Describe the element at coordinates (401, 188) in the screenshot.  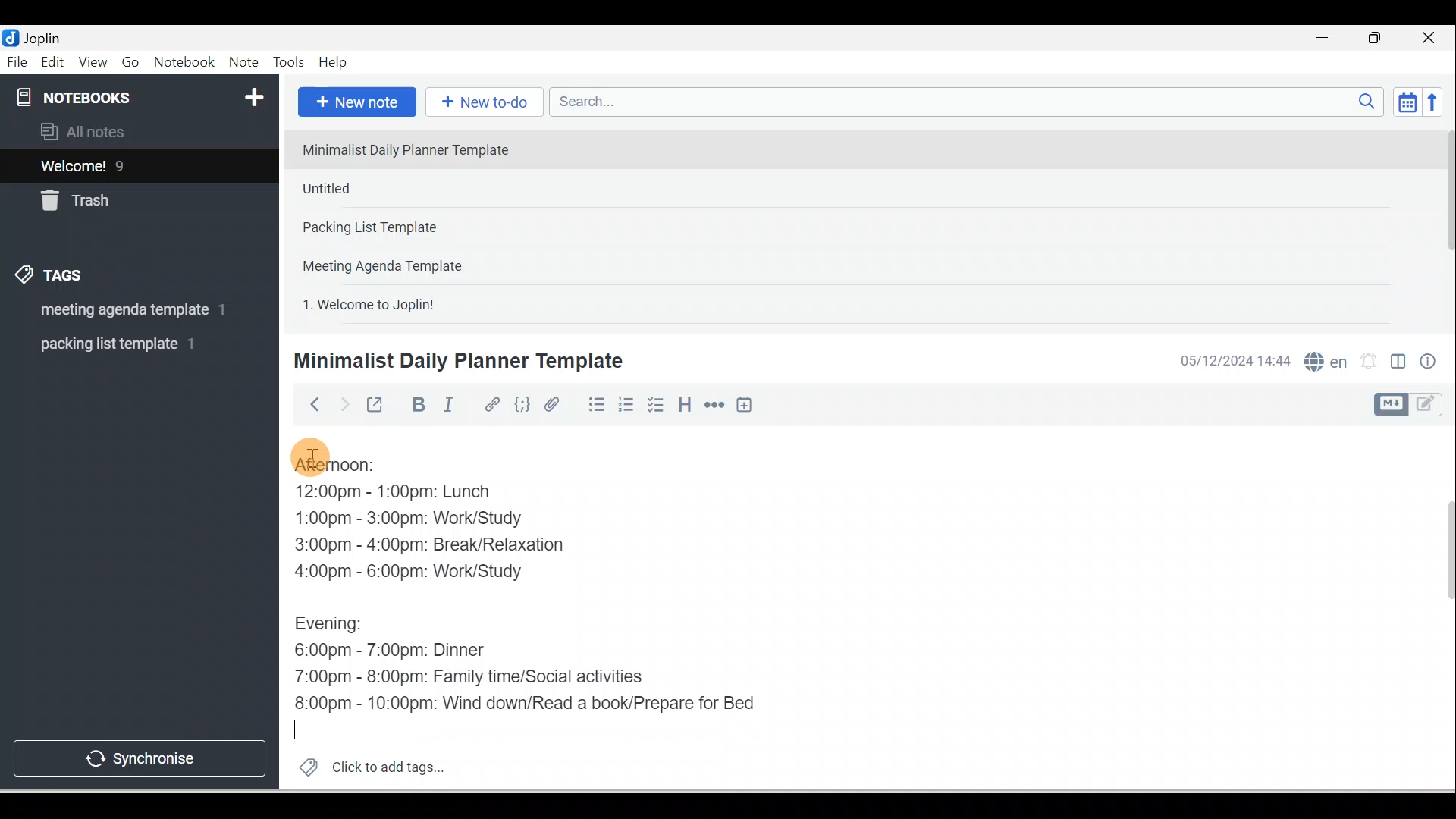
I see `Note 2` at that location.